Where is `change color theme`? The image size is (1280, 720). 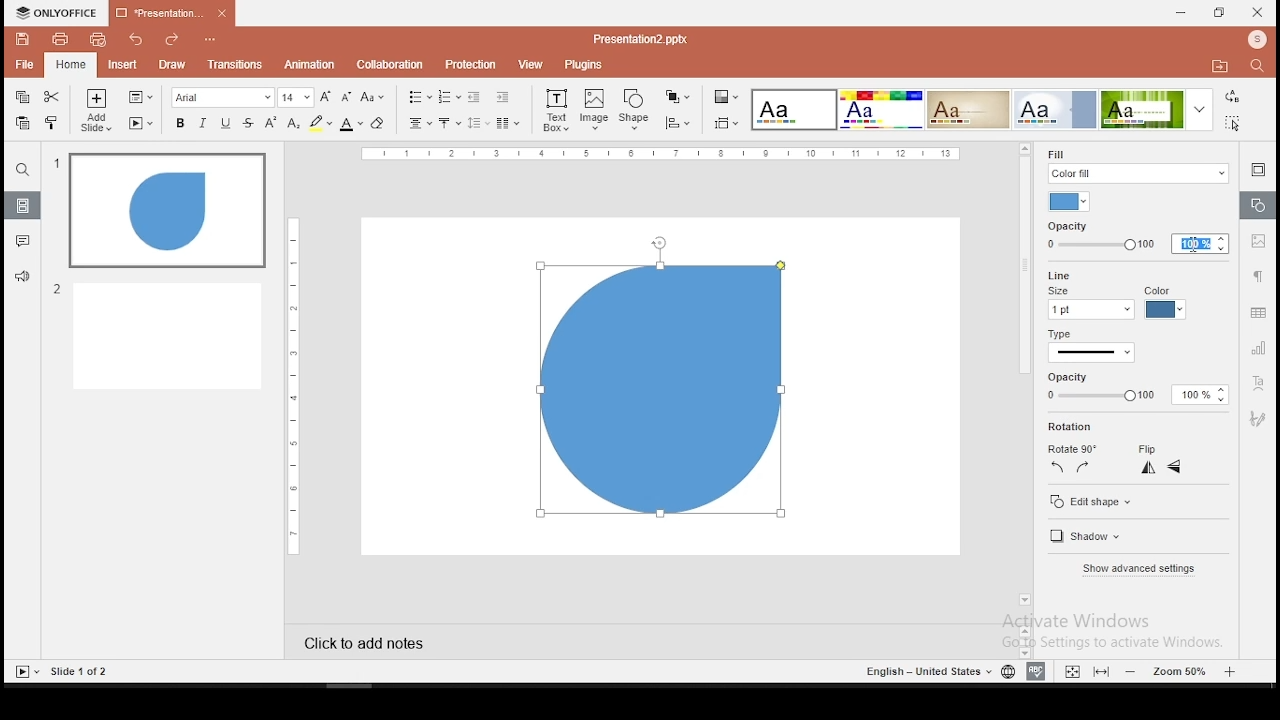 change color theme is located at coordinates (725, 98).